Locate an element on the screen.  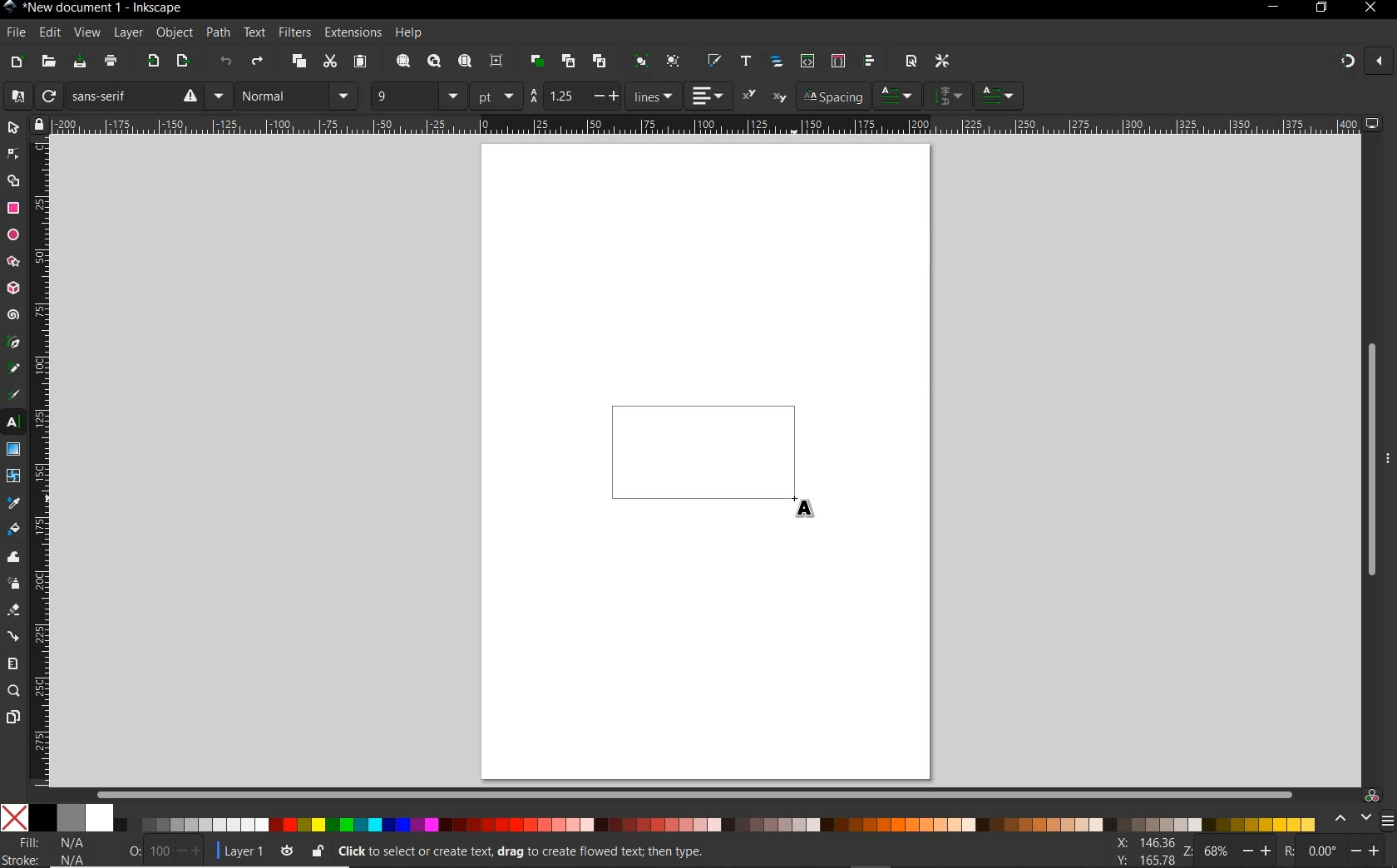
color scroll options is located at coordinates (1348, 819).